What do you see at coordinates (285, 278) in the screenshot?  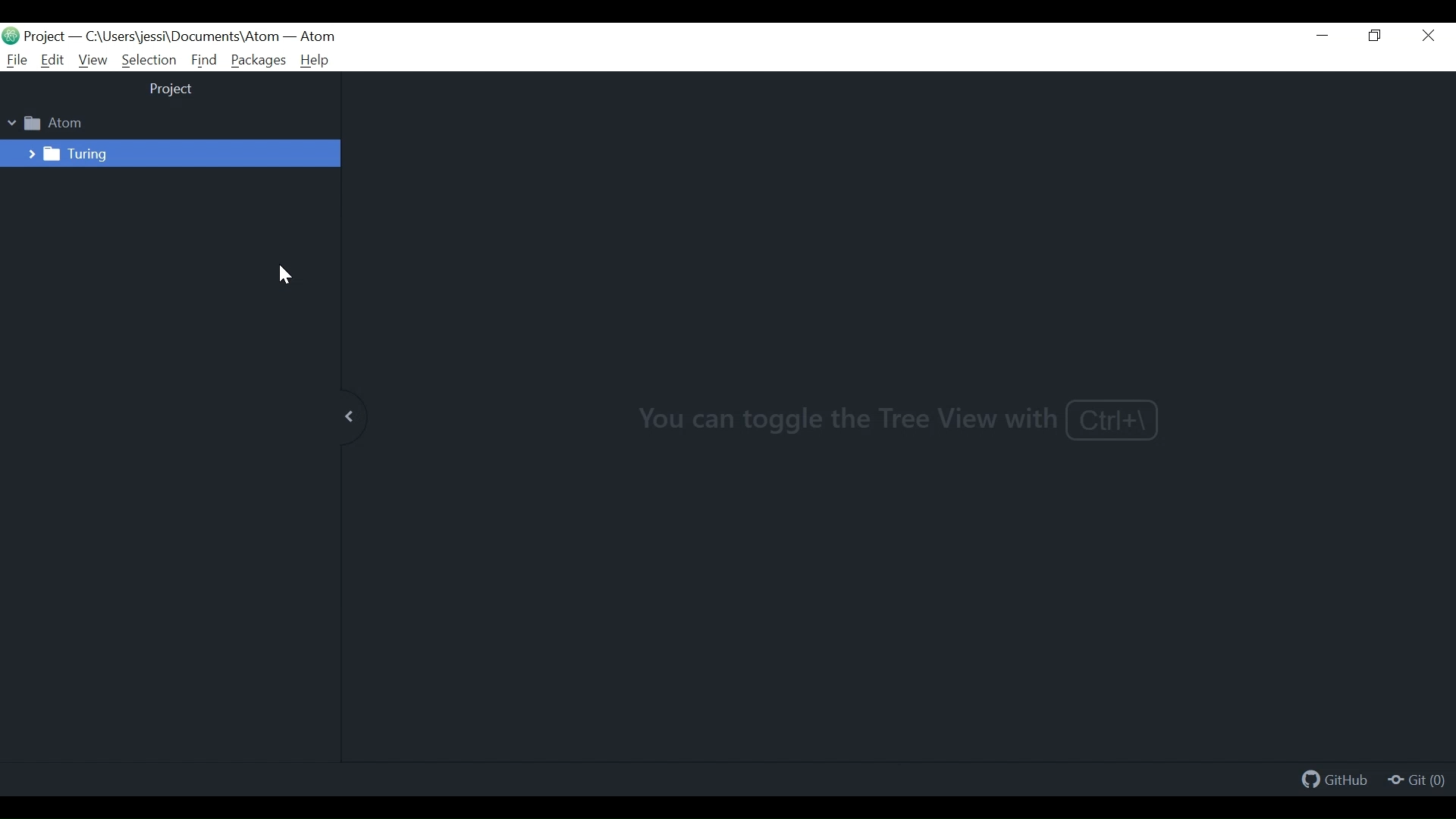 I see `cursor` at bounding box center [285, 278].